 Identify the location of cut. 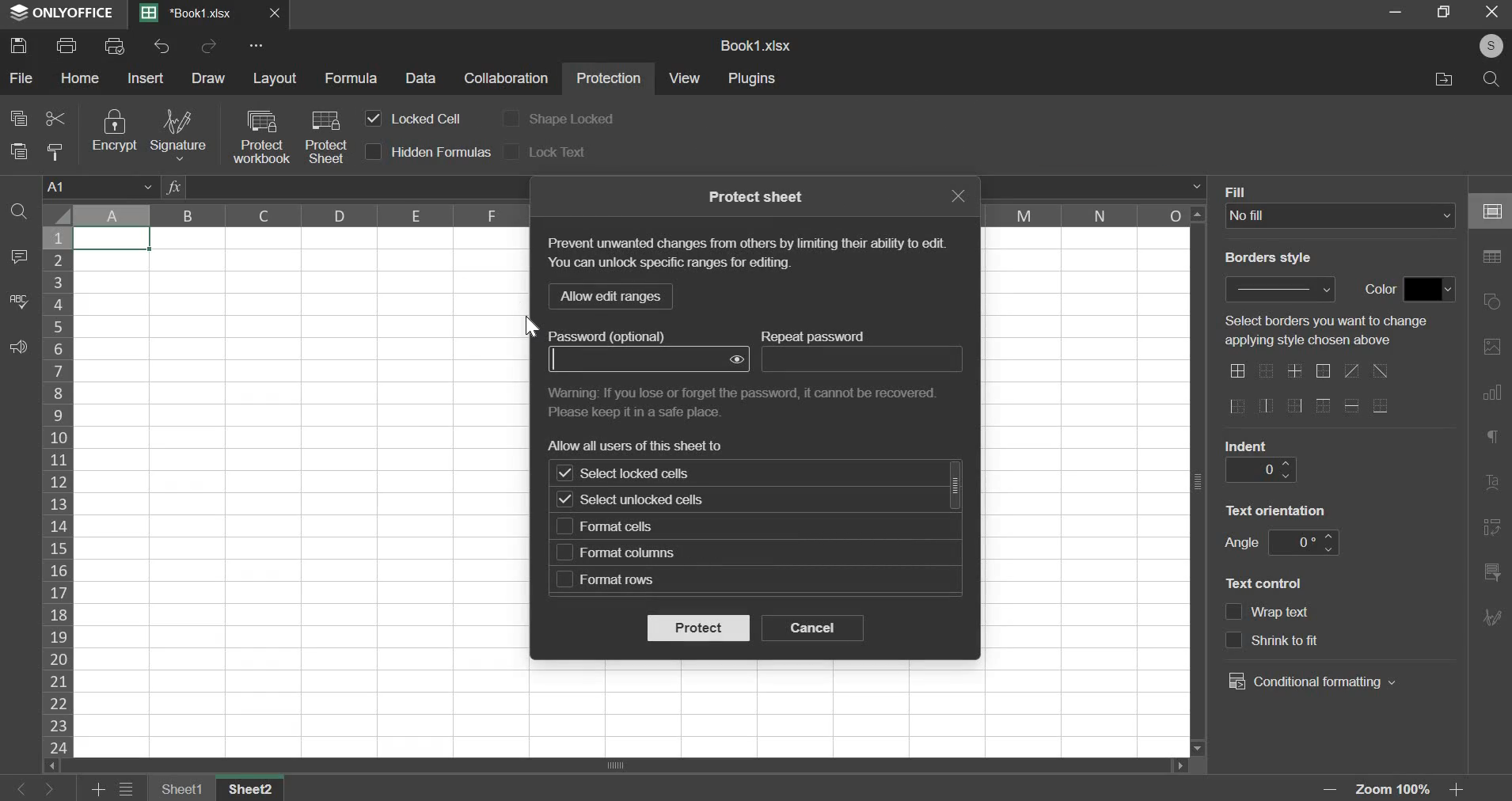
(55, 116).